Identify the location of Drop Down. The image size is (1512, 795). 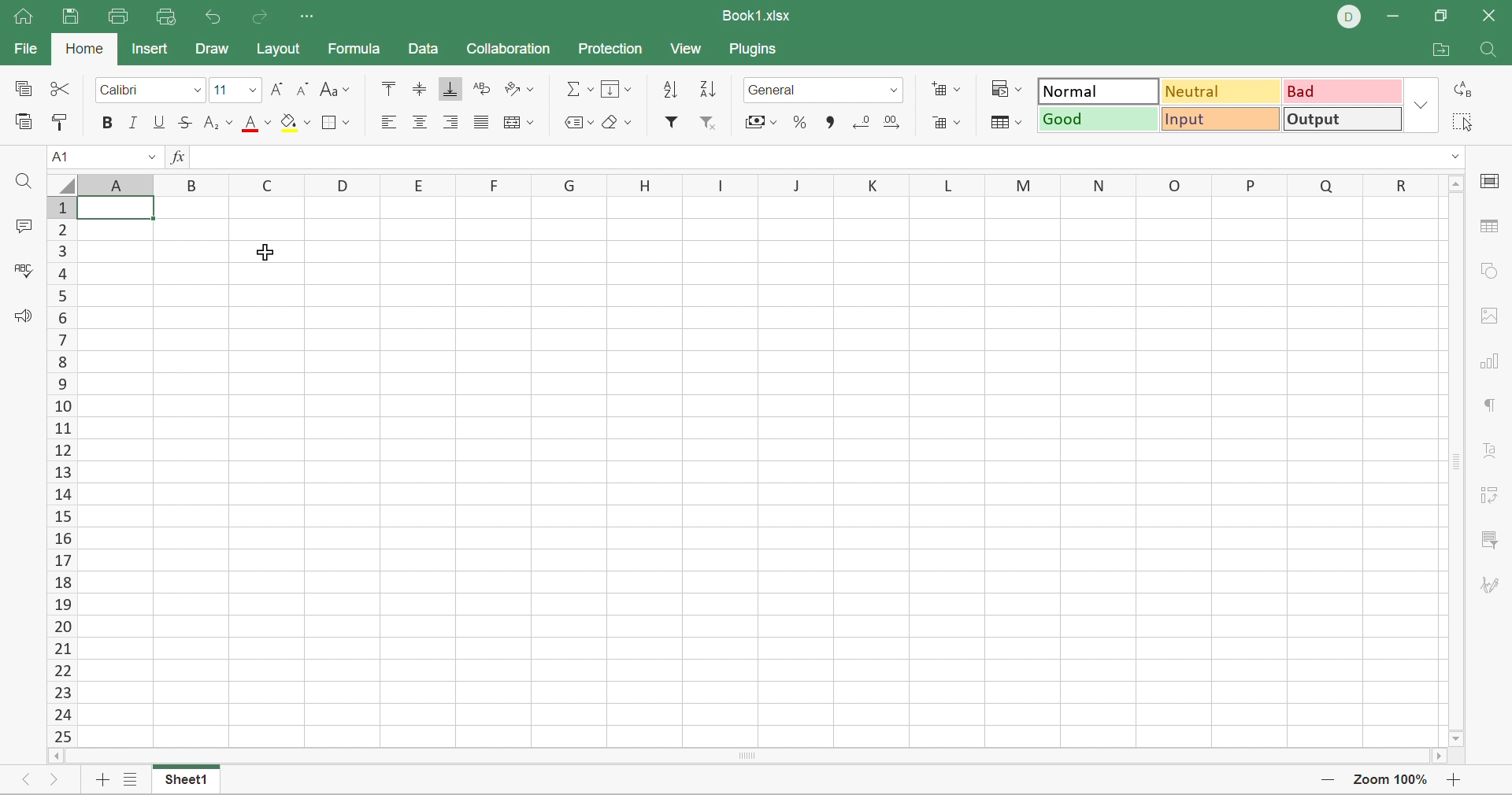
(152, 160).